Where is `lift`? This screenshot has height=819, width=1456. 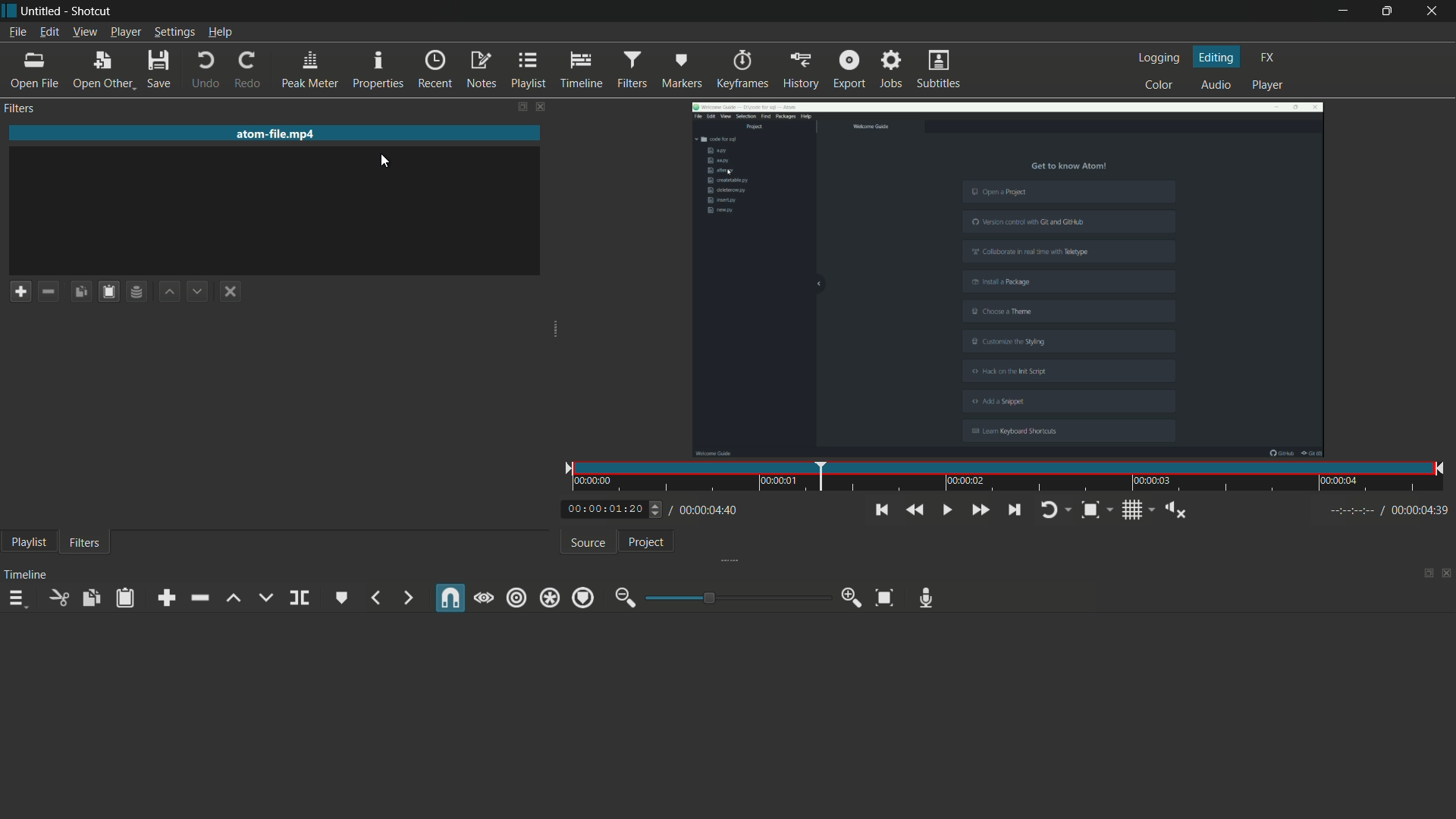 lift is located at coordinates (234, 600).